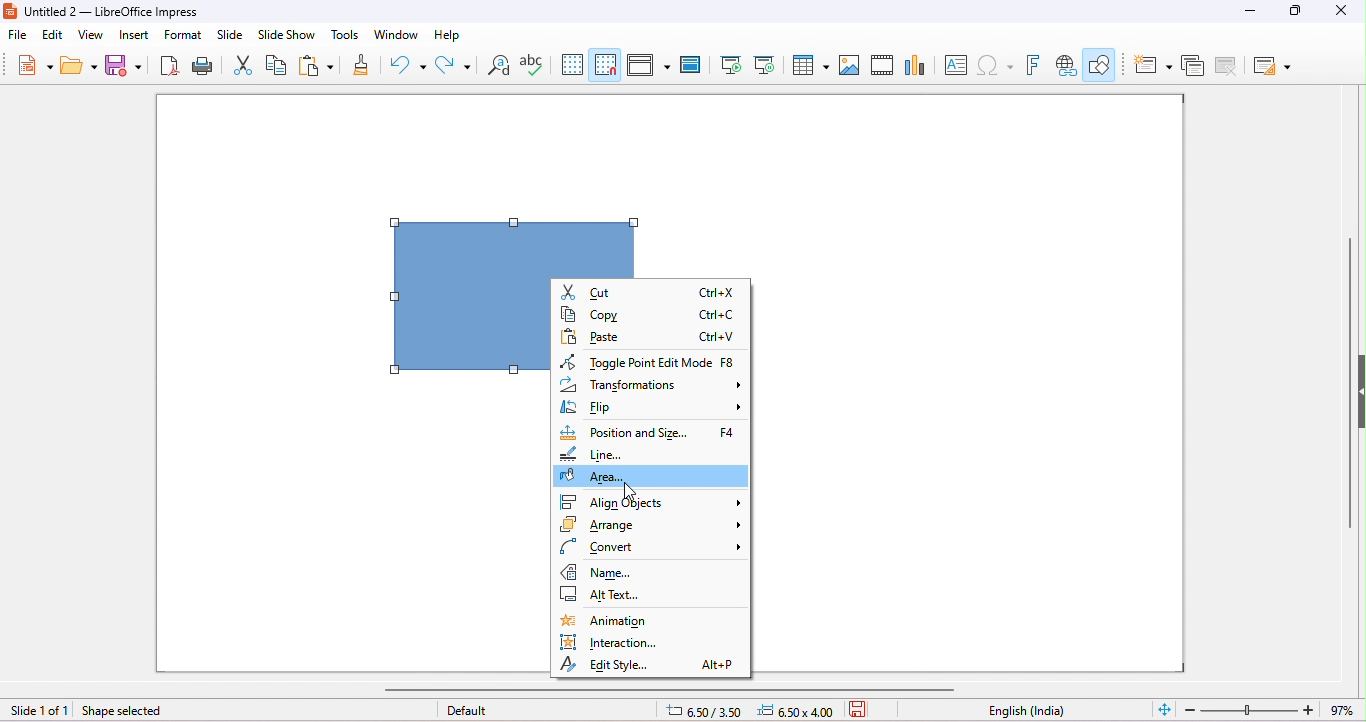 Image resolution: width=1366 pixels, height=722 pixels. Describe the element at coordinates (651, 502) in the screenshot. I see `align objects` at that location.